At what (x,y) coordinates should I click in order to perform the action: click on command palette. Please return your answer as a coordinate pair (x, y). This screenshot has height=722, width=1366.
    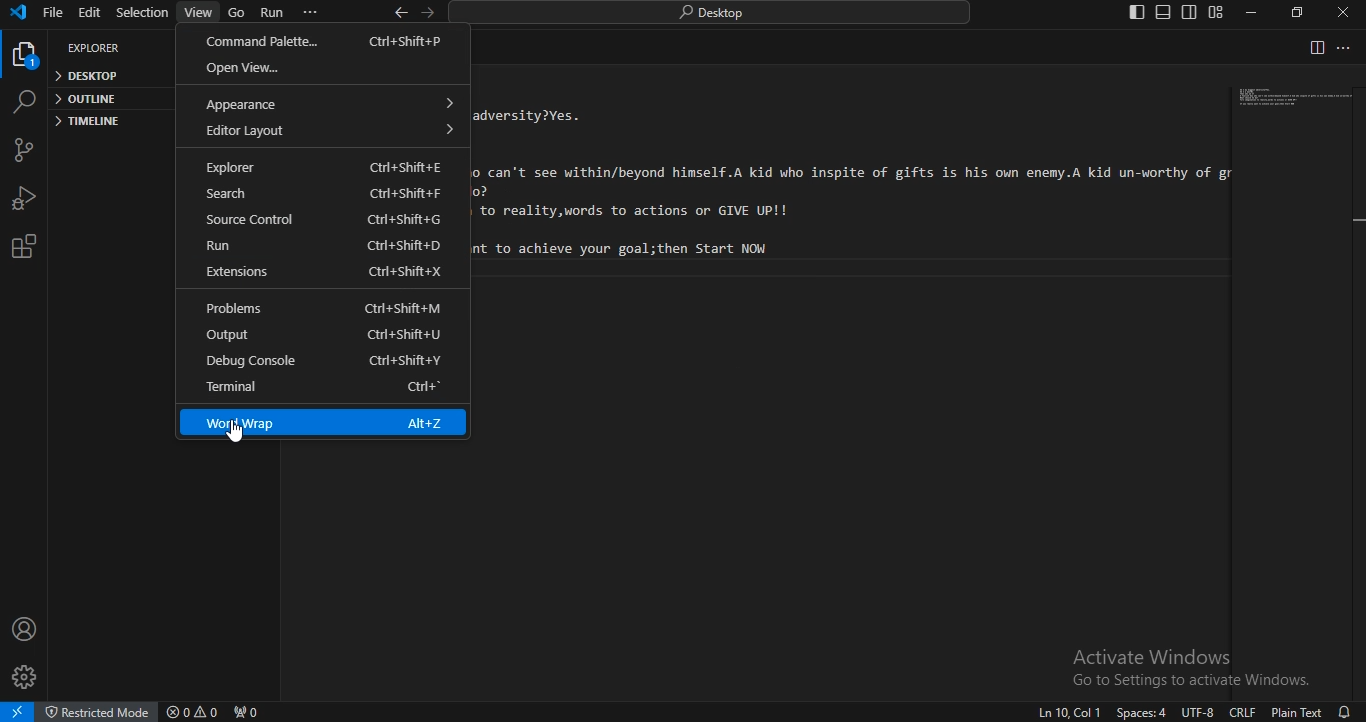
    Looking at the image, I should click on (320, 42).